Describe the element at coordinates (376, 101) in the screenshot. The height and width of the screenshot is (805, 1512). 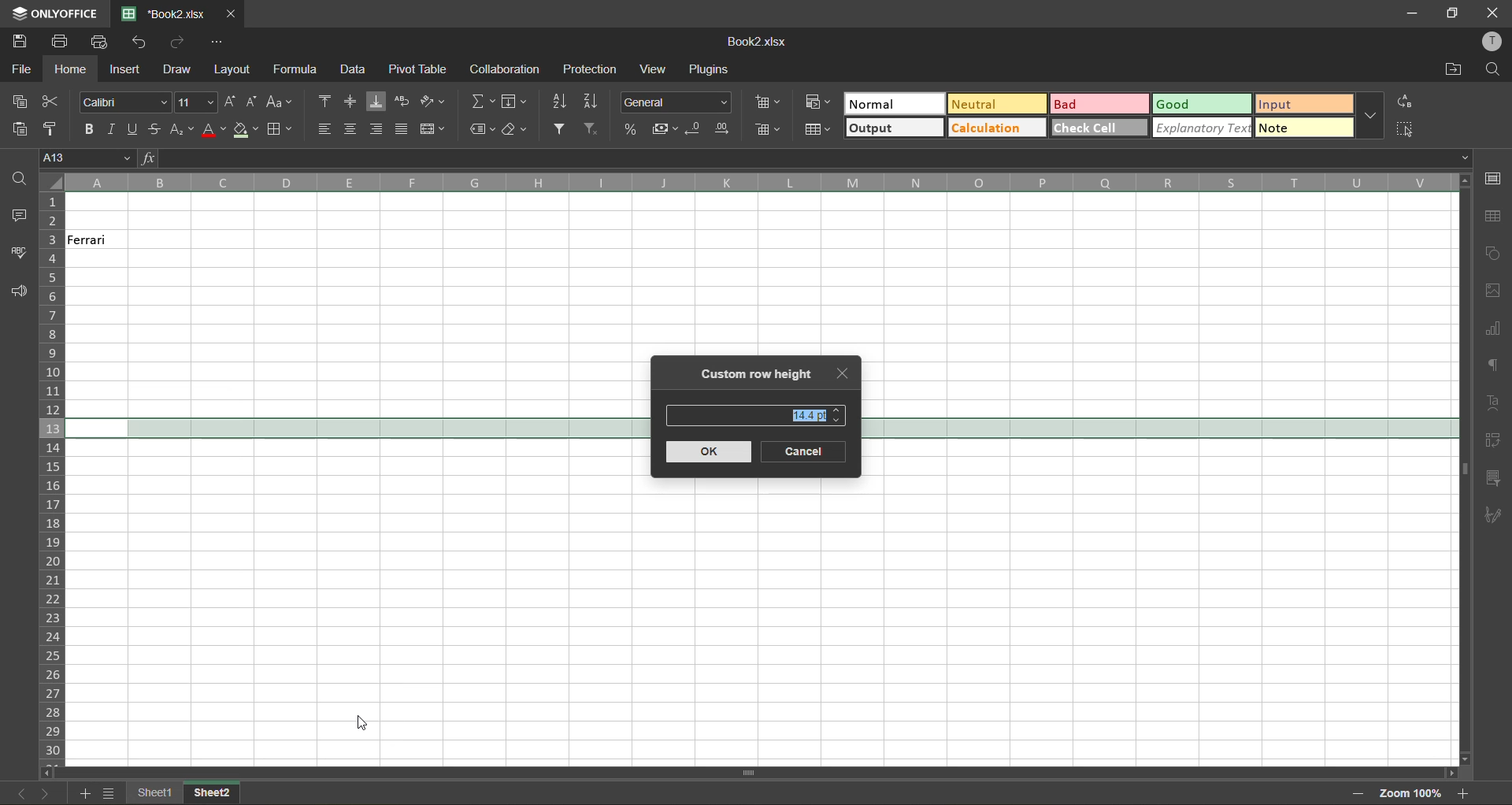
I see `align bottom` at that location.